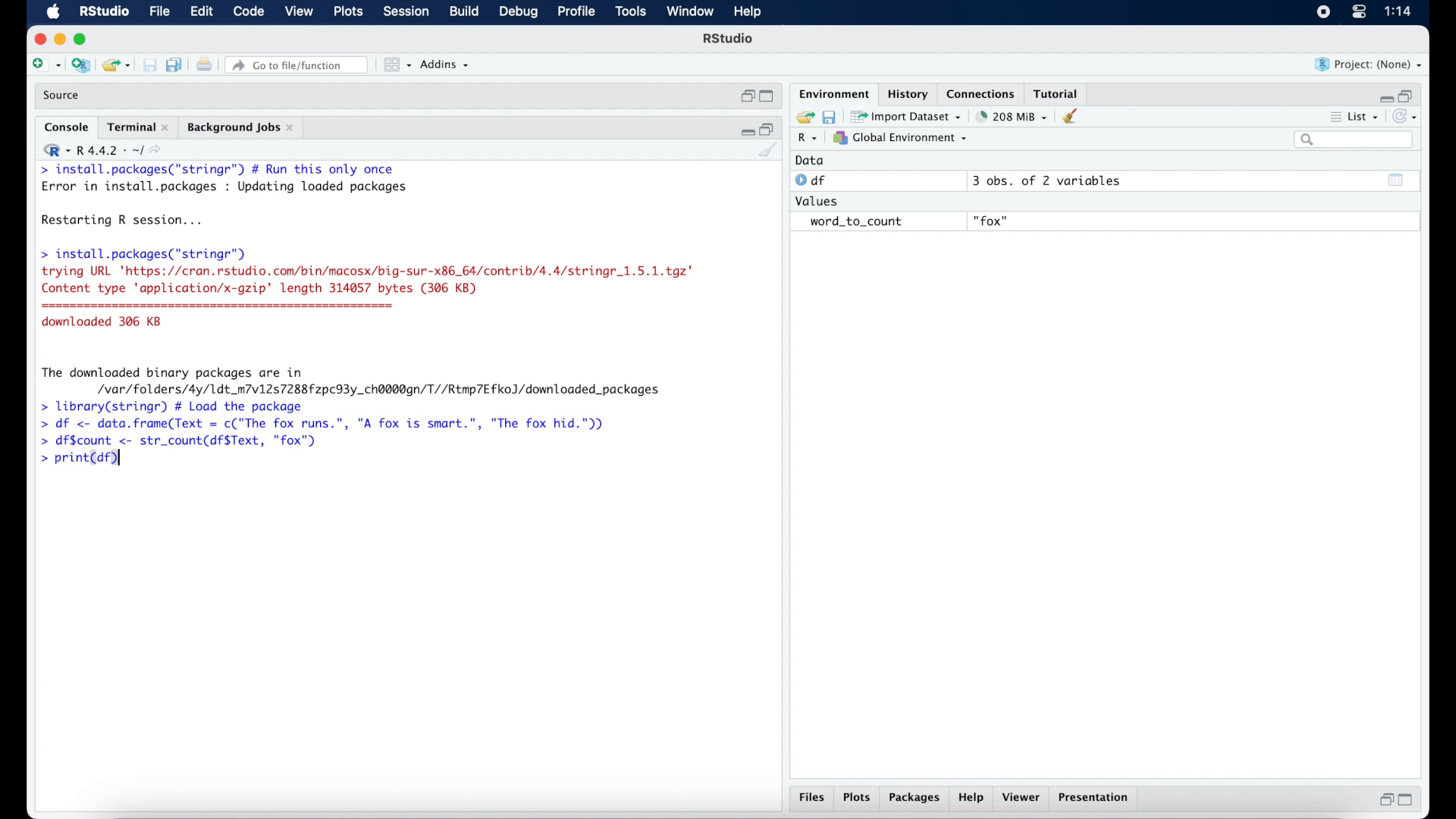  I want to click on help, so click(973, 799).